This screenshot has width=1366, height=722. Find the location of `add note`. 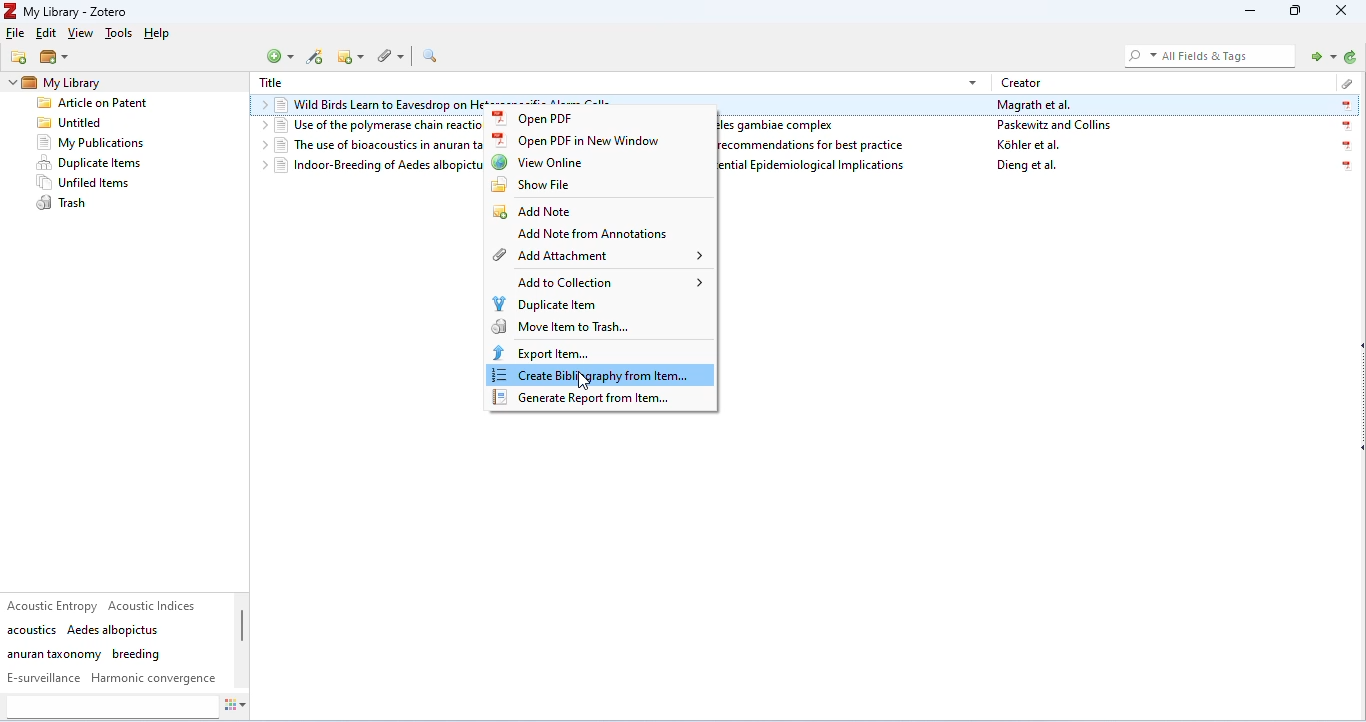

add note is located at coordinates (533, 209).